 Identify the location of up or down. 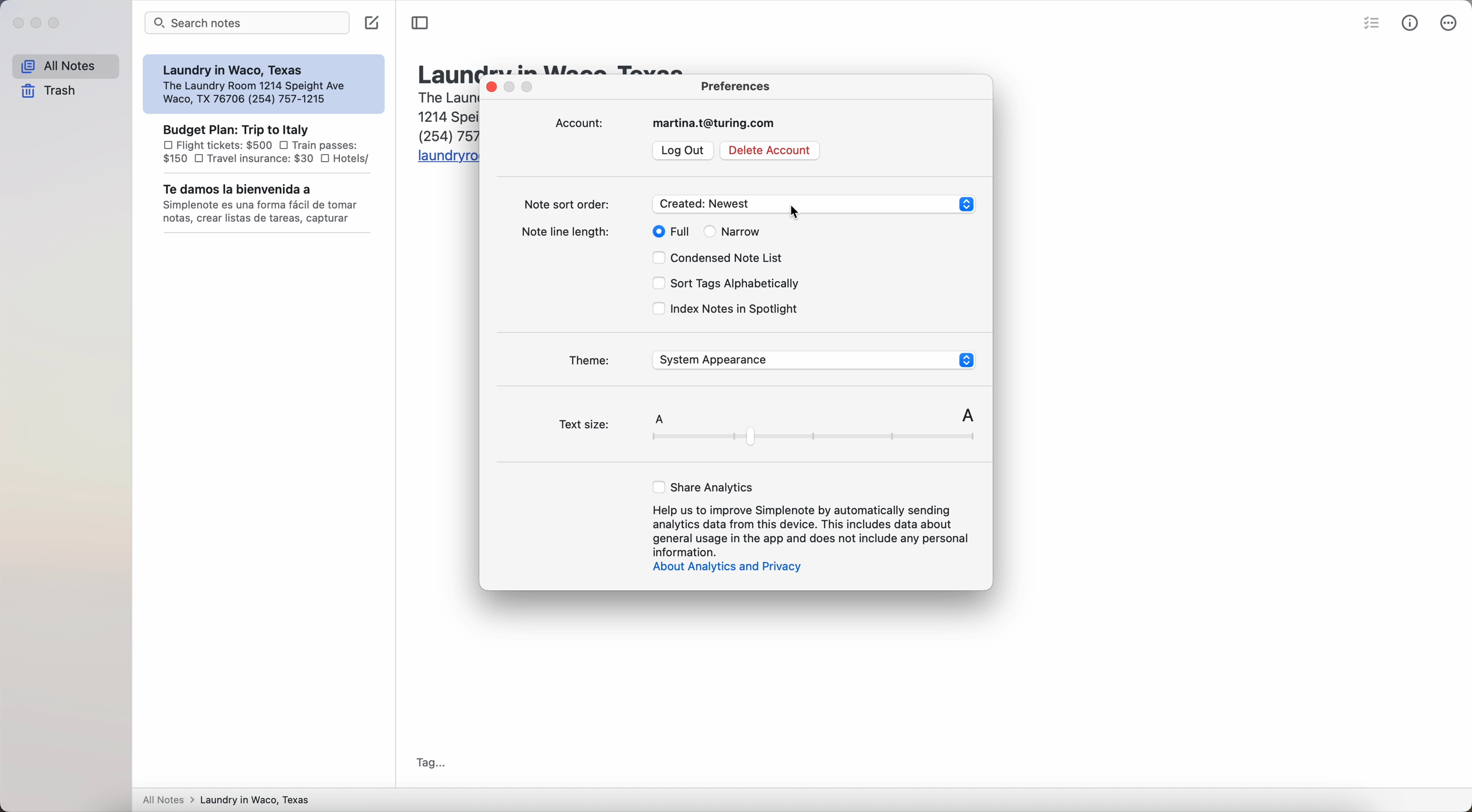
(970, 205).